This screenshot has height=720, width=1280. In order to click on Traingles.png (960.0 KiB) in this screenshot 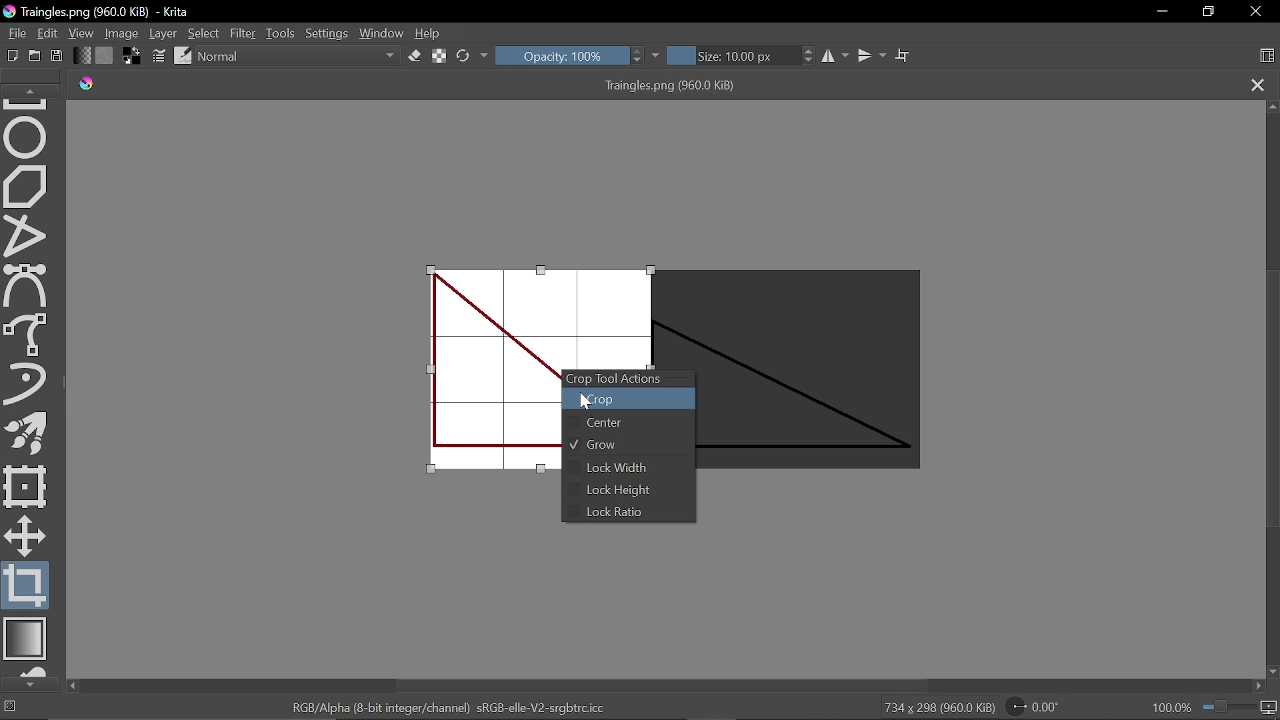, I will do `click(648, 86)`.